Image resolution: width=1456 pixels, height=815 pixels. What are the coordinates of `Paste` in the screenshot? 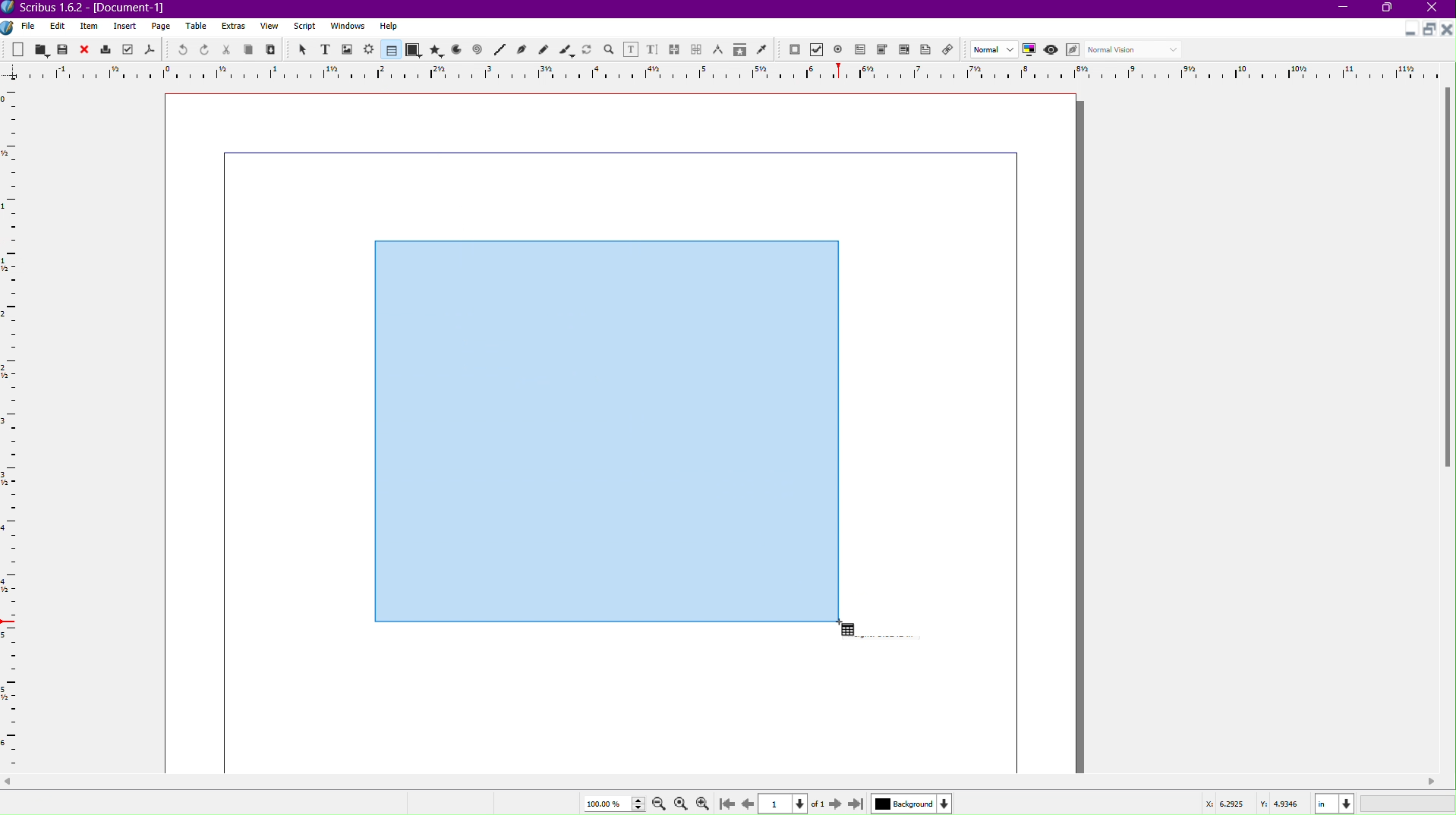 It's located at (272, 50).